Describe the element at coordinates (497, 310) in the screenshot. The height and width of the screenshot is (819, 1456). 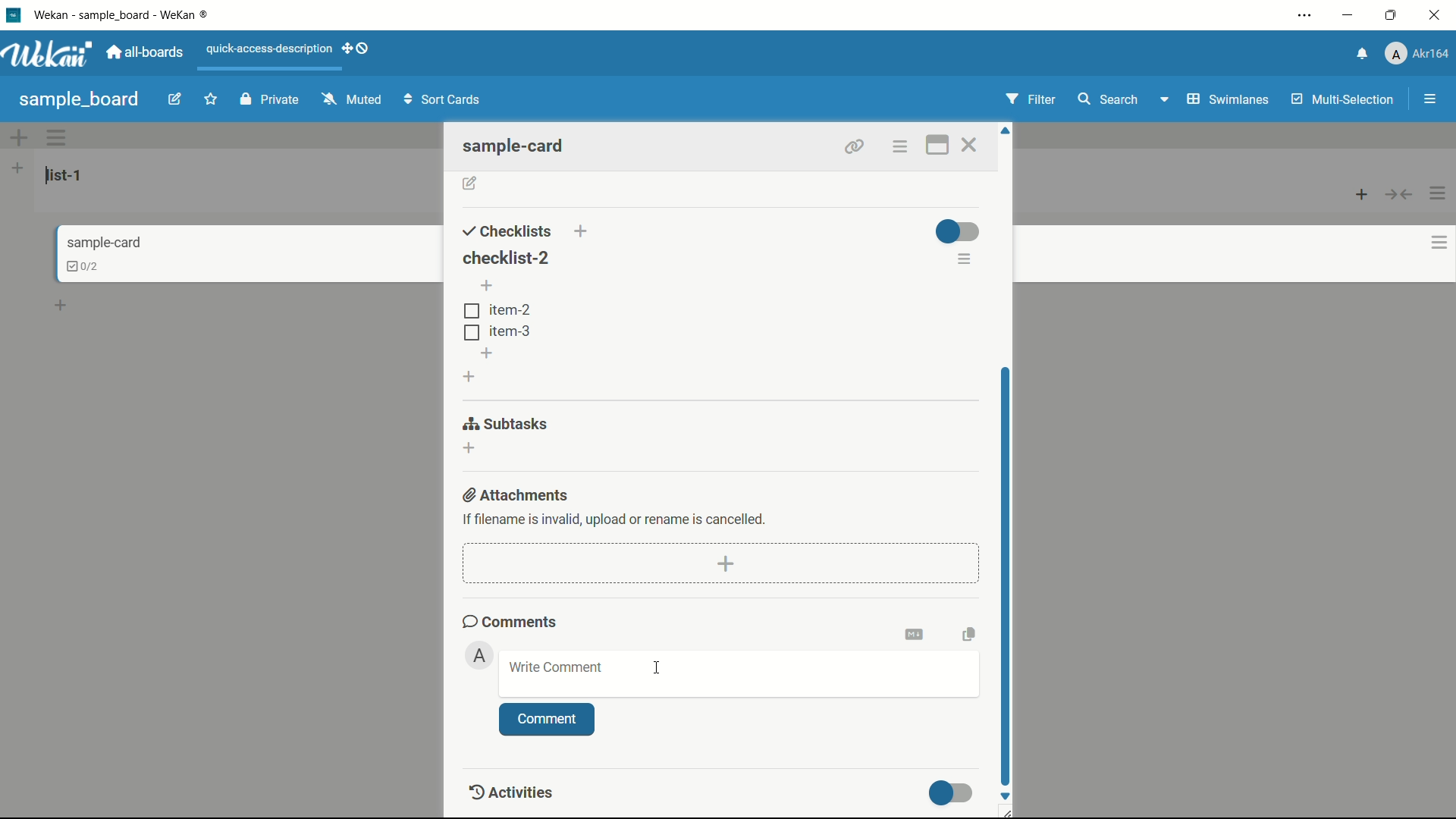
I see `item-2` at that location.